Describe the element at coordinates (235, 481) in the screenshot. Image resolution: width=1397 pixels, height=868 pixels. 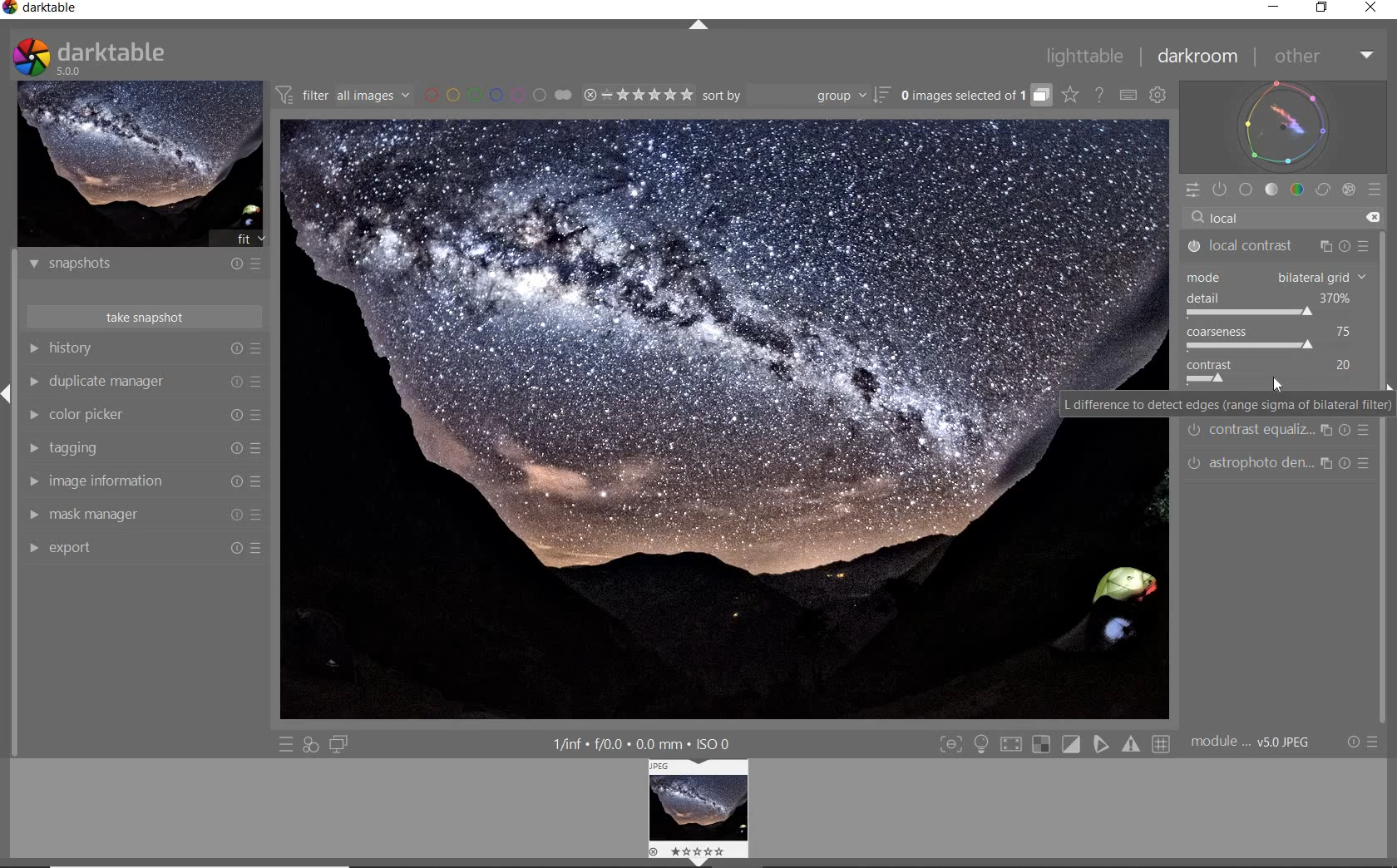
I see `Reset` at that location.